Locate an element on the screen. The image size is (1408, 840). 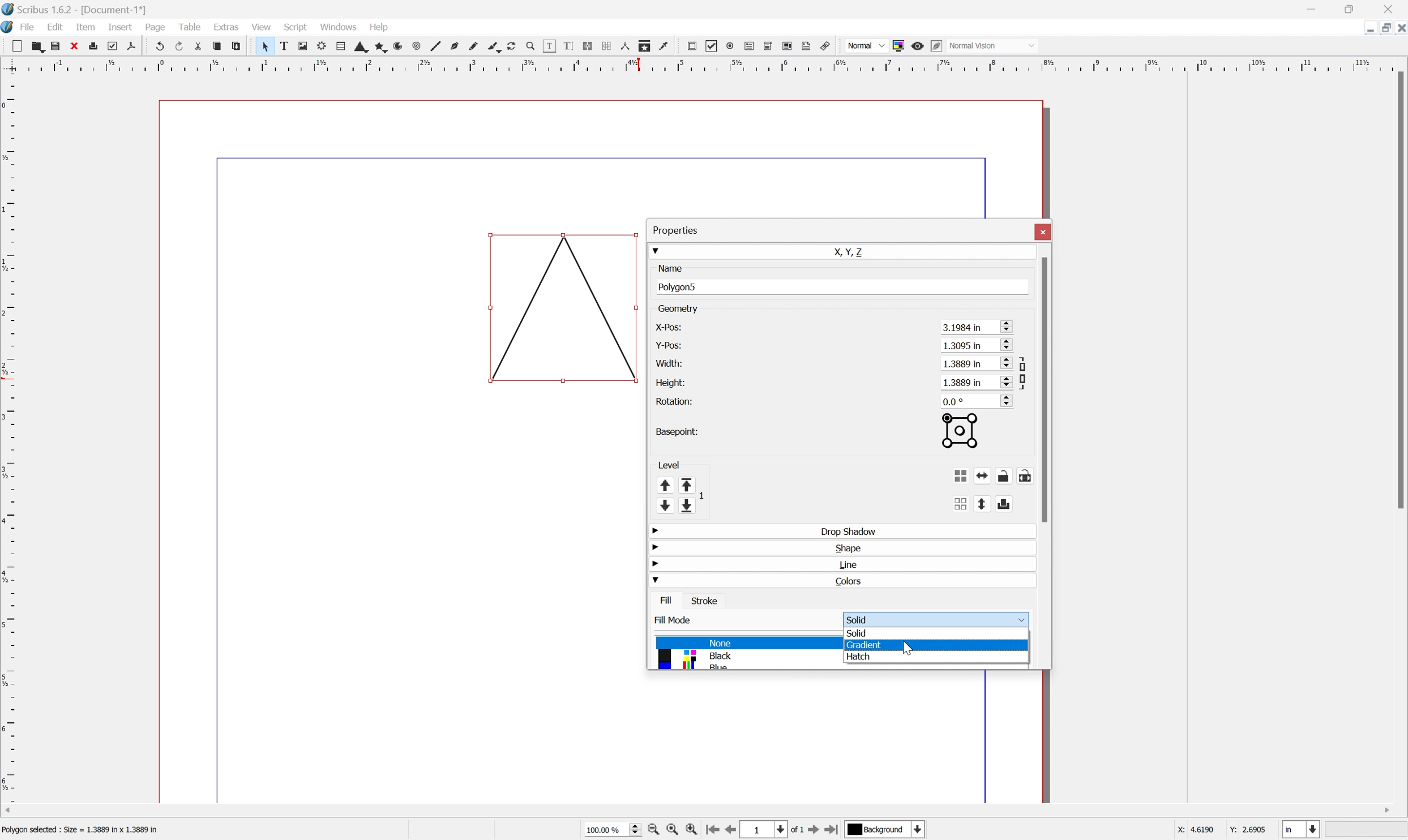
Scroll is located at coordinates (1018, 400).